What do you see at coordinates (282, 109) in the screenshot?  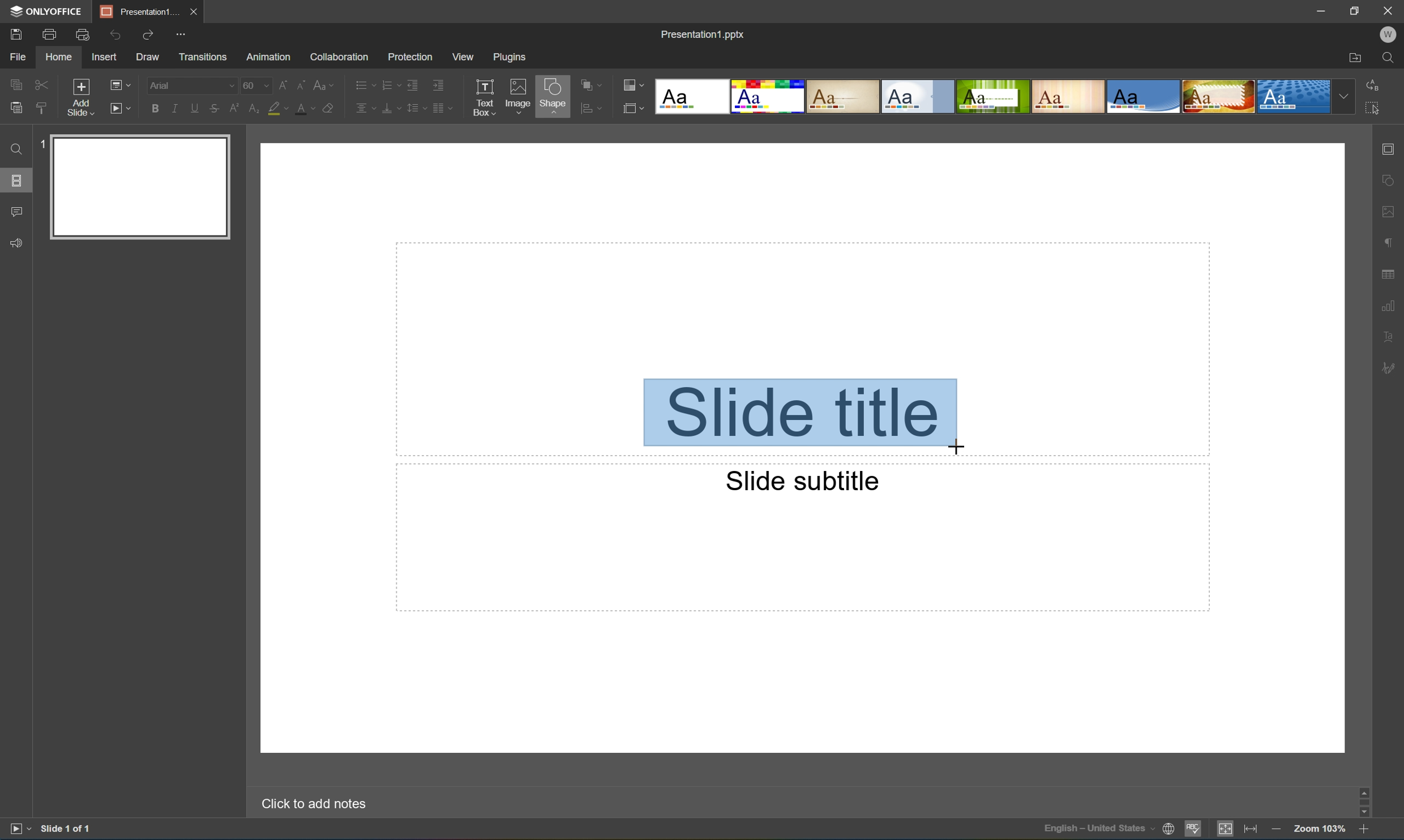 I see `Highlight color` at bounding box center [282, 109].